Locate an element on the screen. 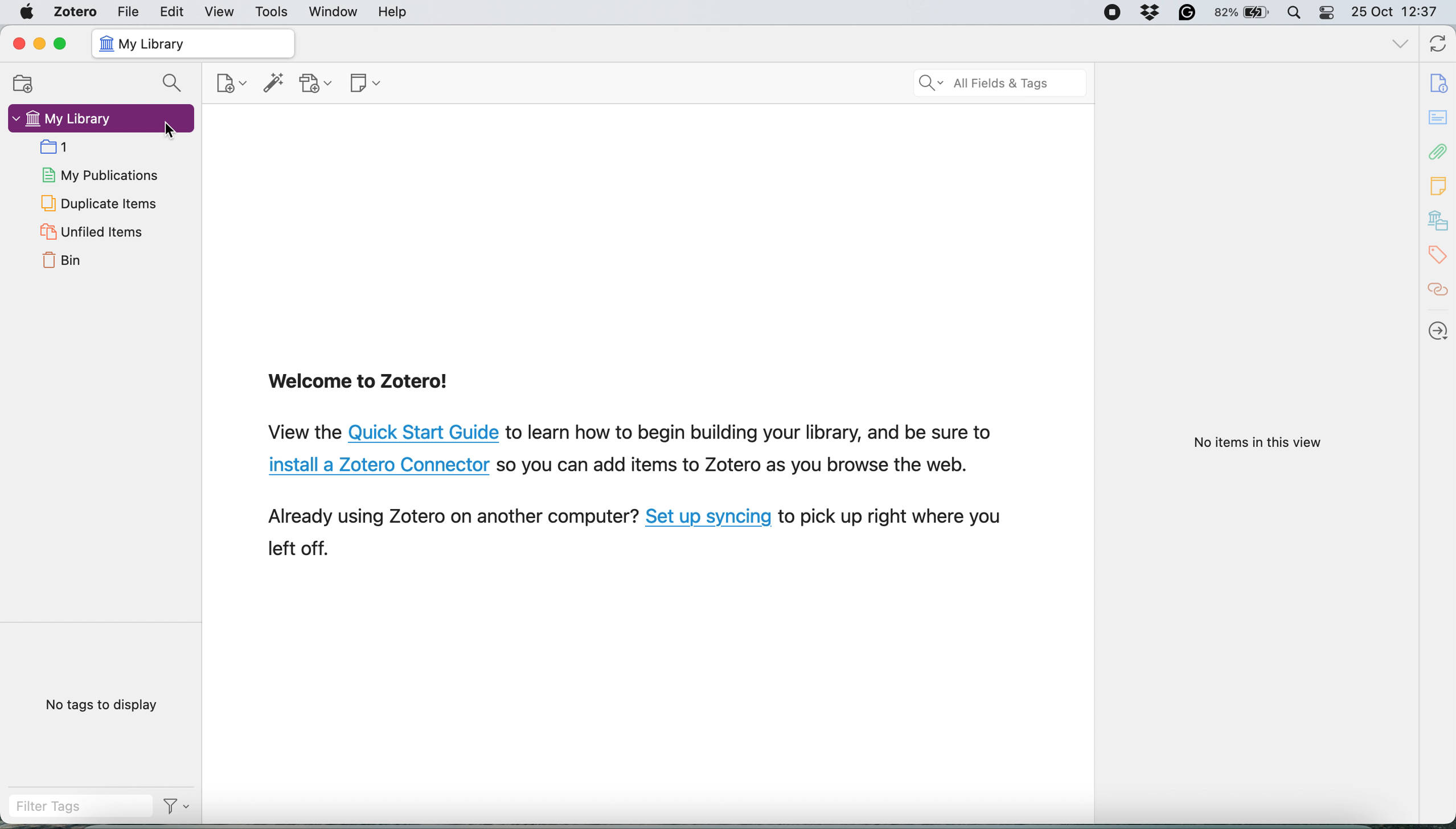 Image resolution: width=1456 pixels, height=829 pixels. my publications is located at coordinates (98, 175).